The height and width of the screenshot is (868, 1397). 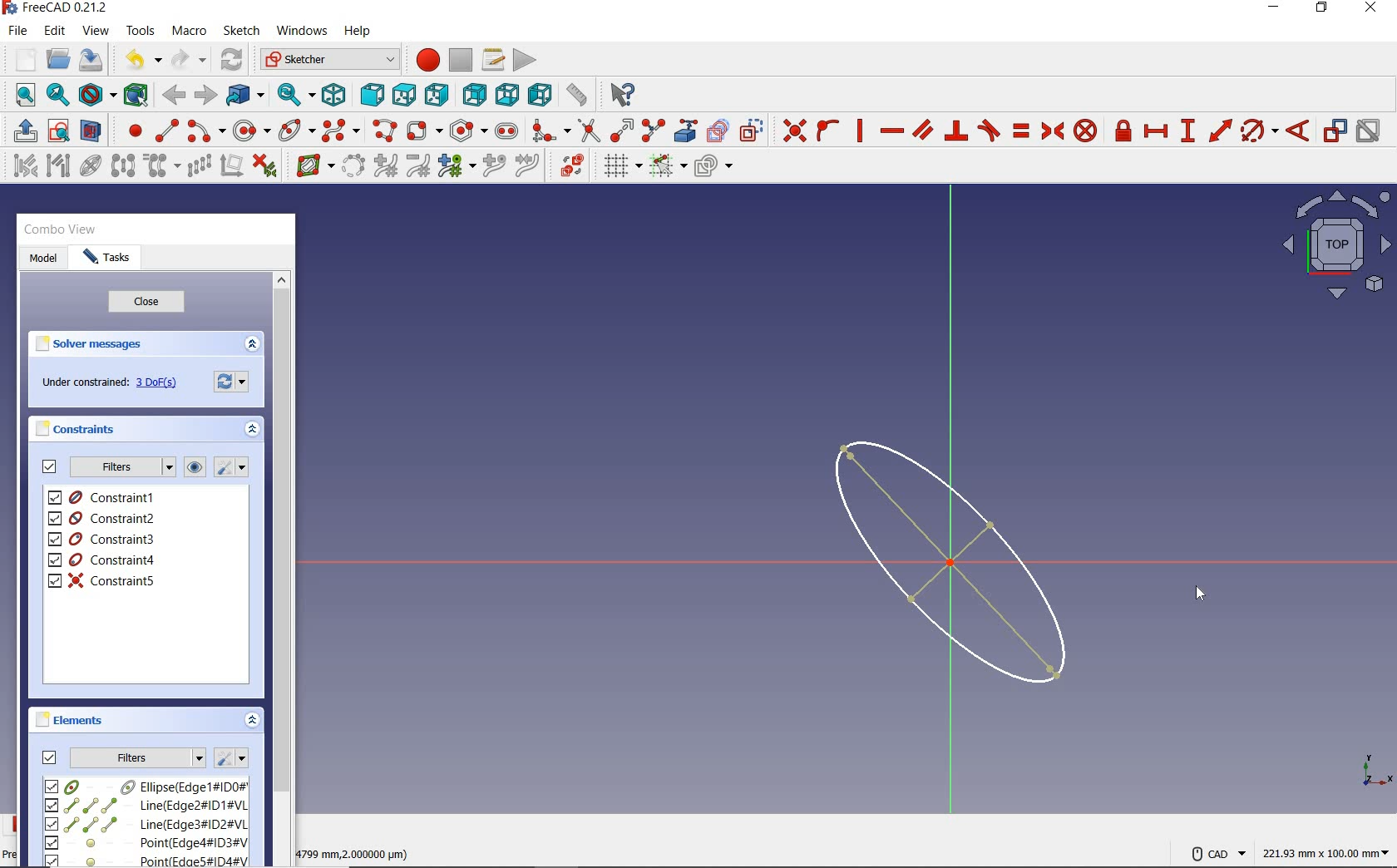 I want to click on create B-Spline, so click(x=340, y=130).